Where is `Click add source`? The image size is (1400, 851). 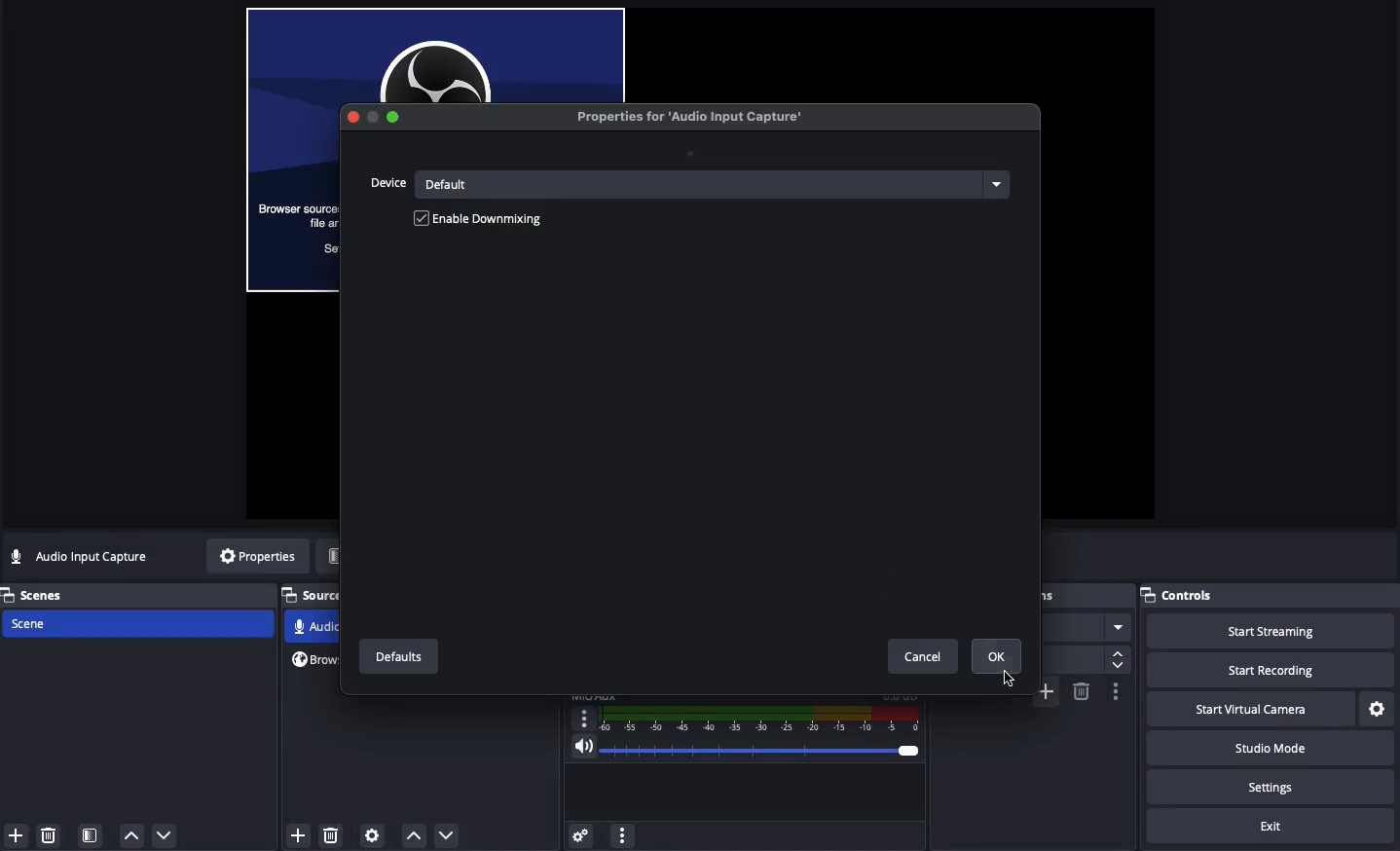
Click add source is located at coordinates (301, 834).